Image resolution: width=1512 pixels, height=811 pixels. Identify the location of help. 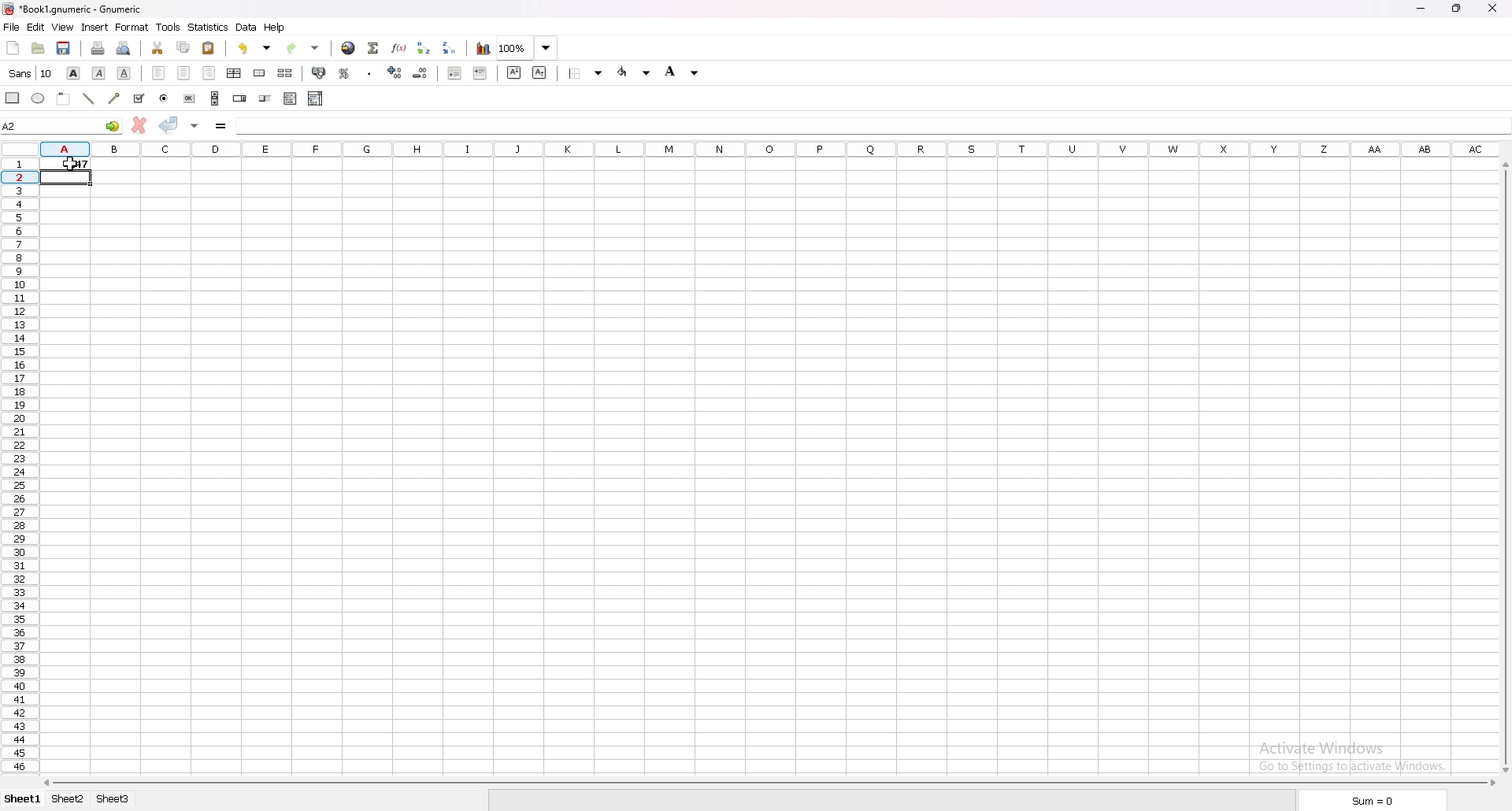
(274, 28).